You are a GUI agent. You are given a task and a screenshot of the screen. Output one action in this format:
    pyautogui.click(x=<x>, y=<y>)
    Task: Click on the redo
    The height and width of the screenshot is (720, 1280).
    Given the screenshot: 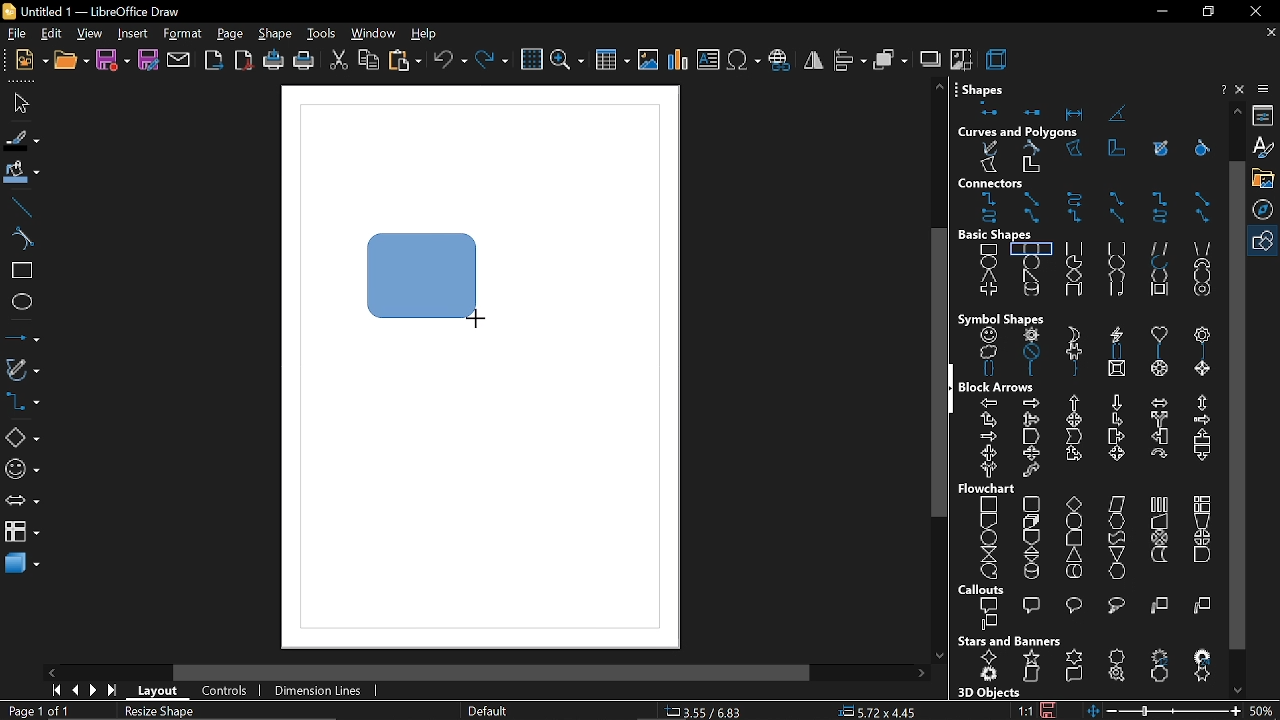 What is the action you would take?
    pyautogui.click(x=493, y=62)
    